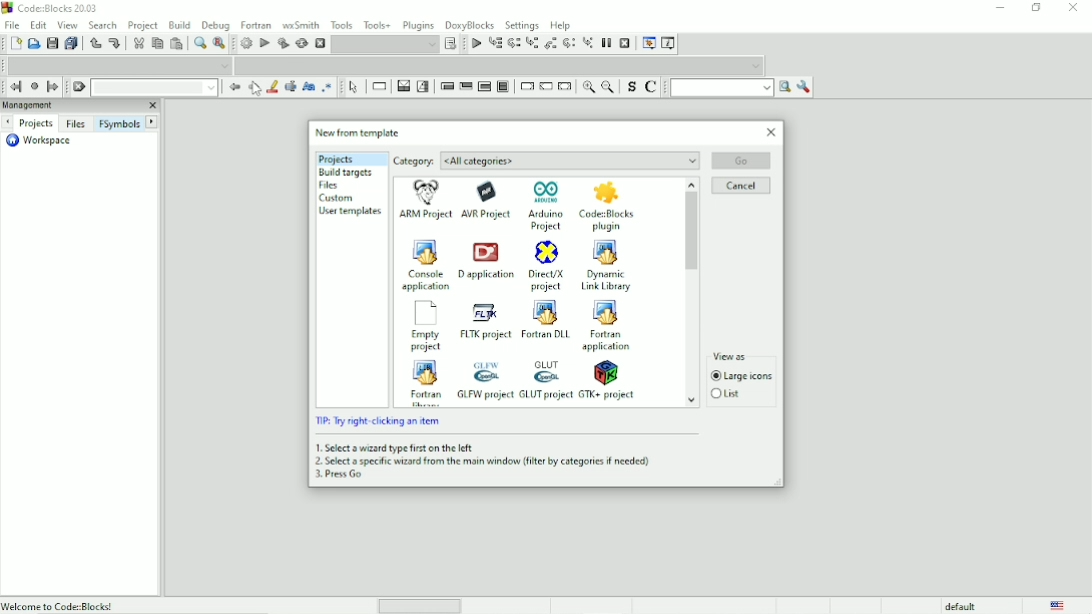 This screenshot has height=614, width=1092. What do you see at coordinates (565, 87) in the screenshot?
I see `Return instruction` at bounding box center [565, 87].